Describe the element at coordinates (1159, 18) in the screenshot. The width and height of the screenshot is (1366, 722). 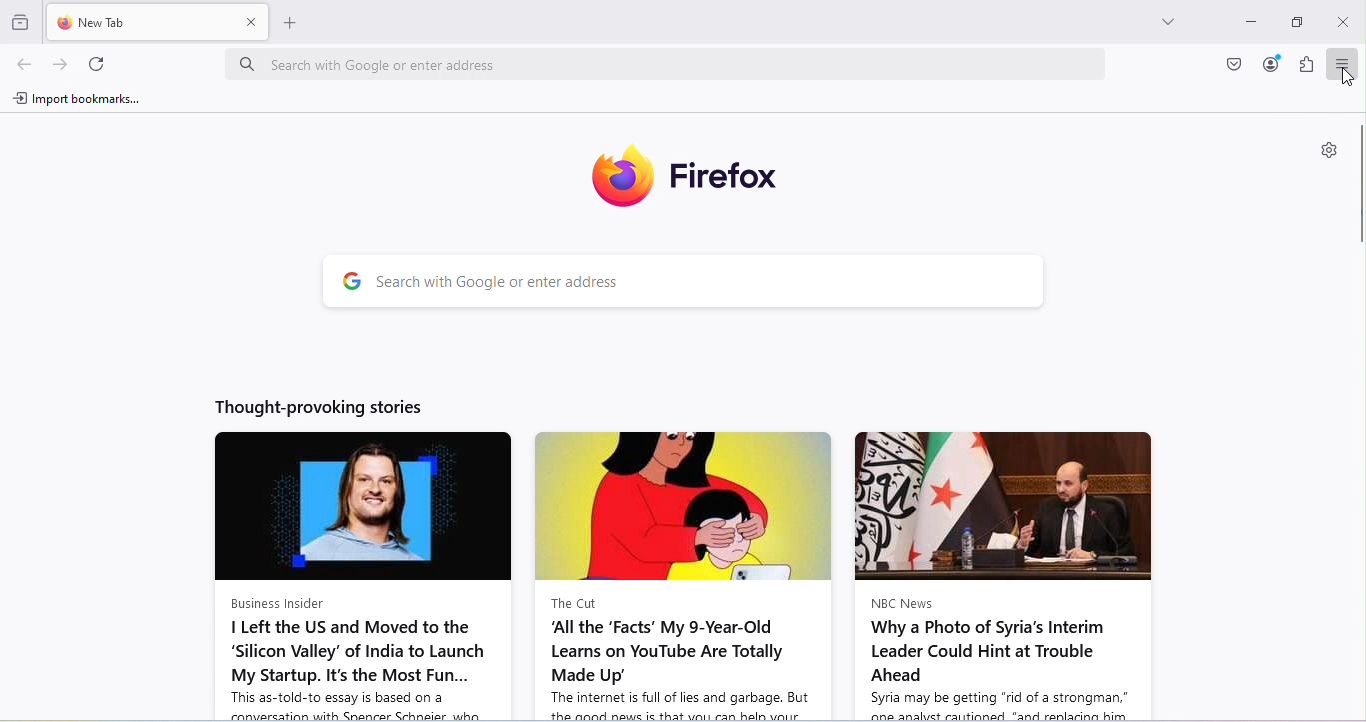
I see `List all tabs` at that location.